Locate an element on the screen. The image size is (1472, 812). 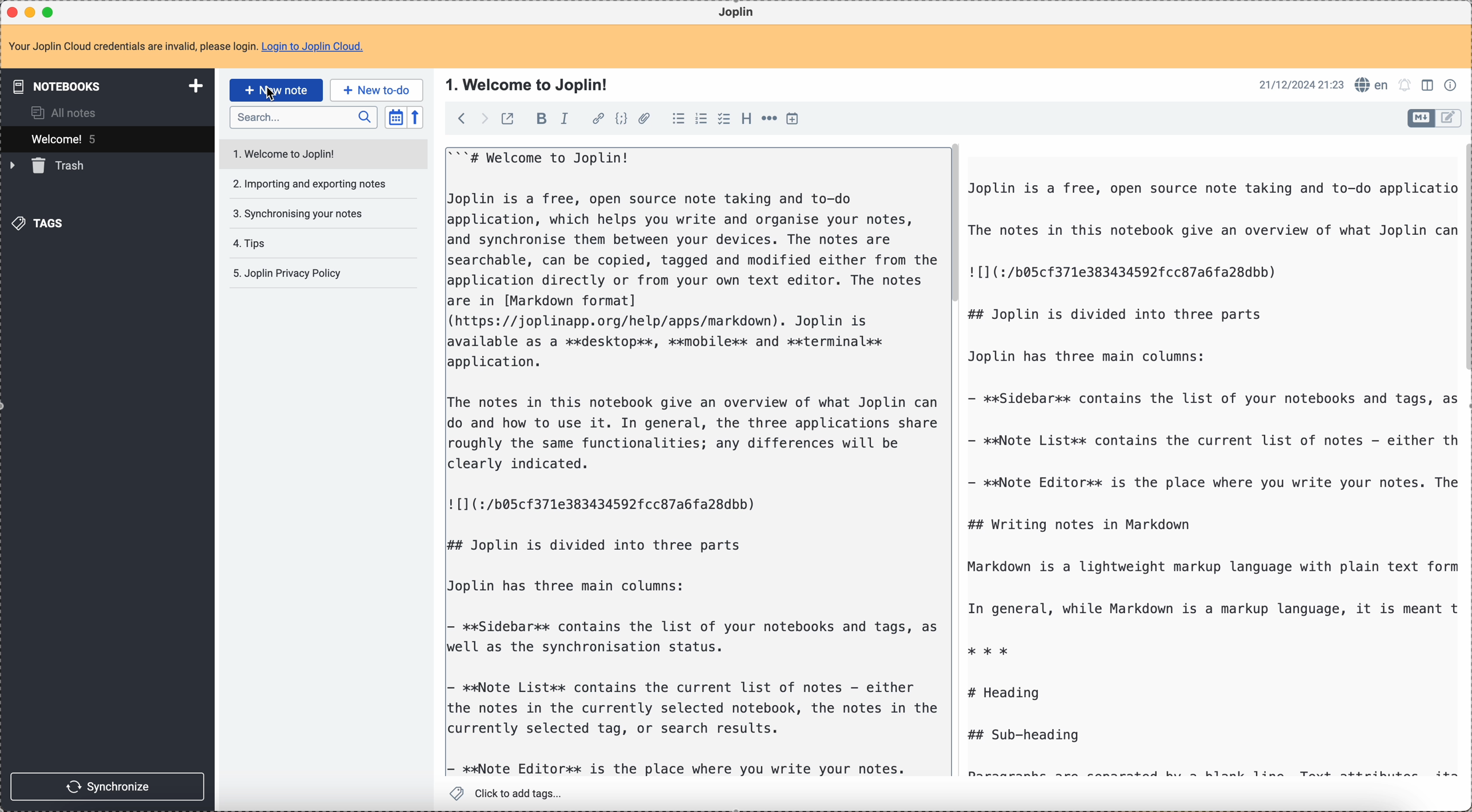
synchronize is located at coordinates (107, 785).